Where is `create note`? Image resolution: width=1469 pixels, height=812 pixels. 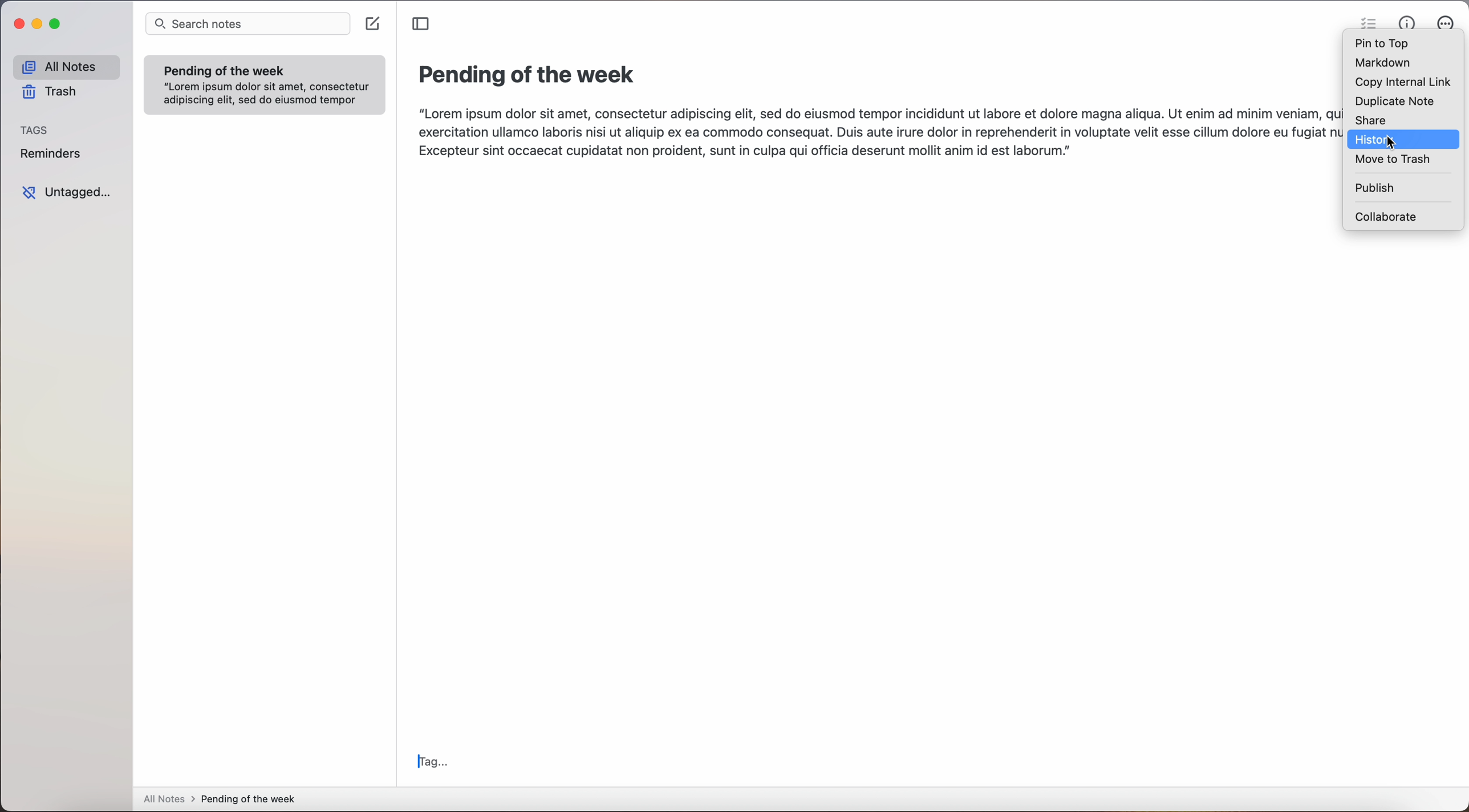
create note is located at coordinates (374, 24).